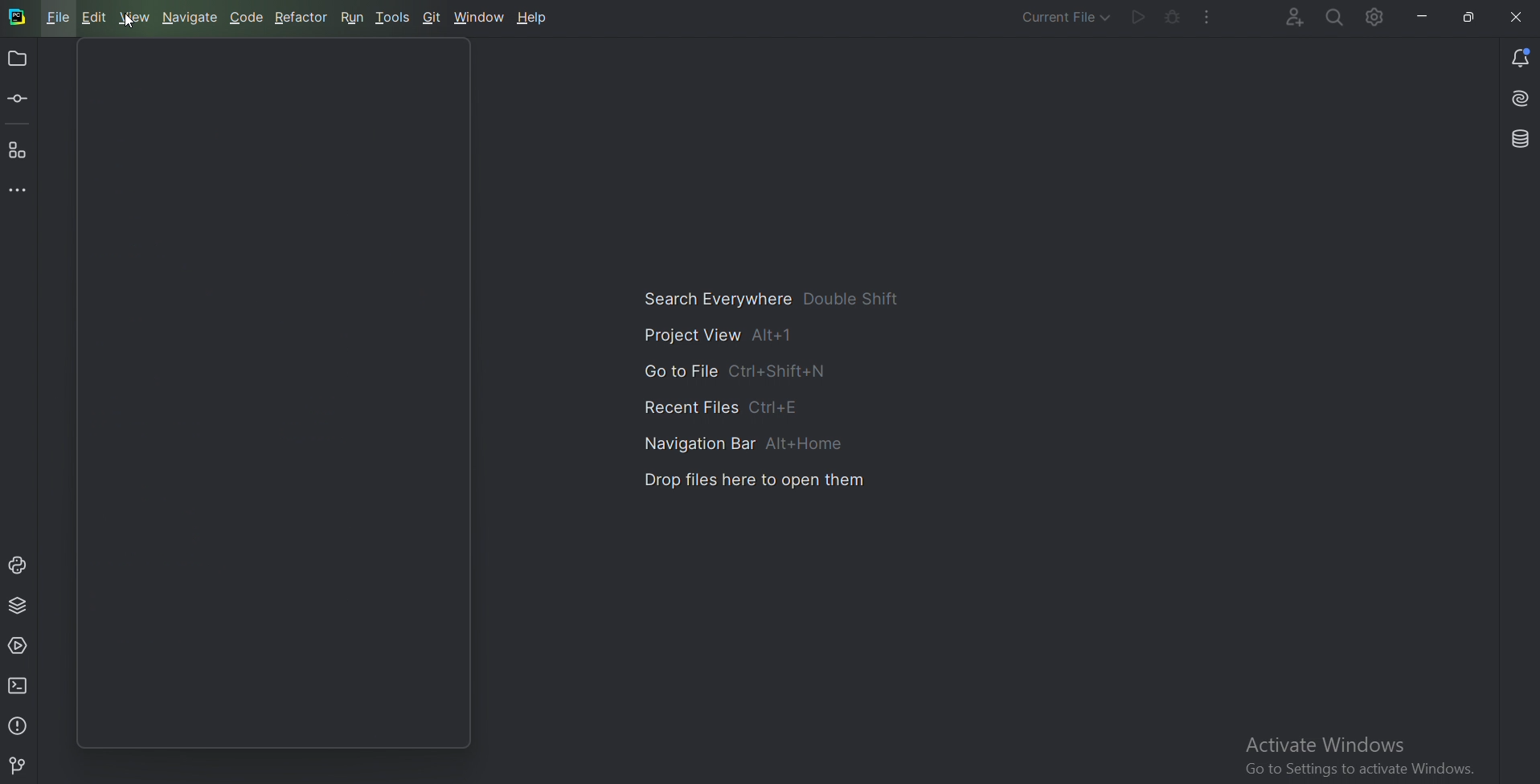  What do you see at coordinates (21, 685) in the screenshot?
I see `Terminal` at bounding box center [21, 685].